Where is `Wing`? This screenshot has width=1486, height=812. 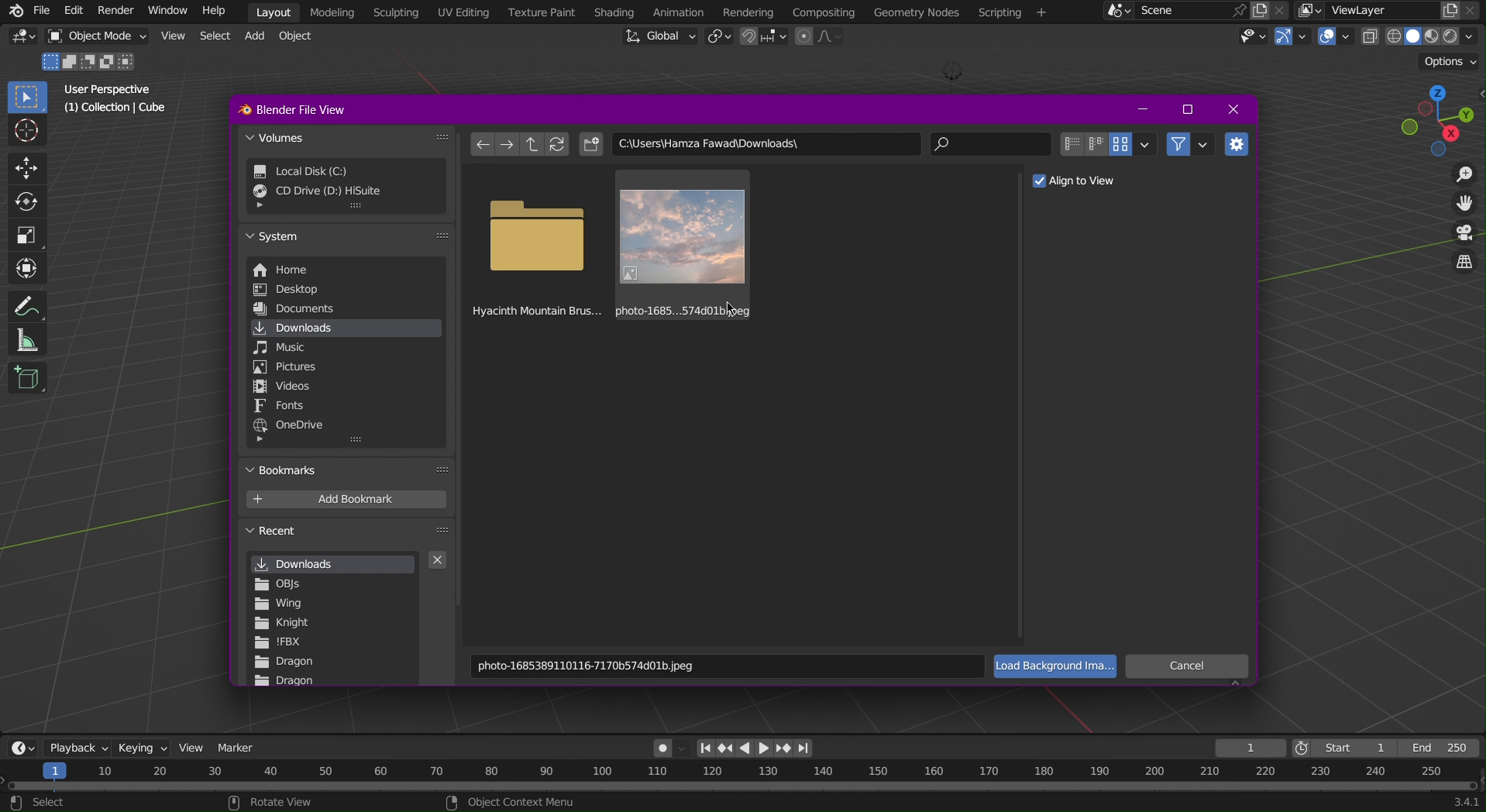 Wing is located at coordinates (283, 605).